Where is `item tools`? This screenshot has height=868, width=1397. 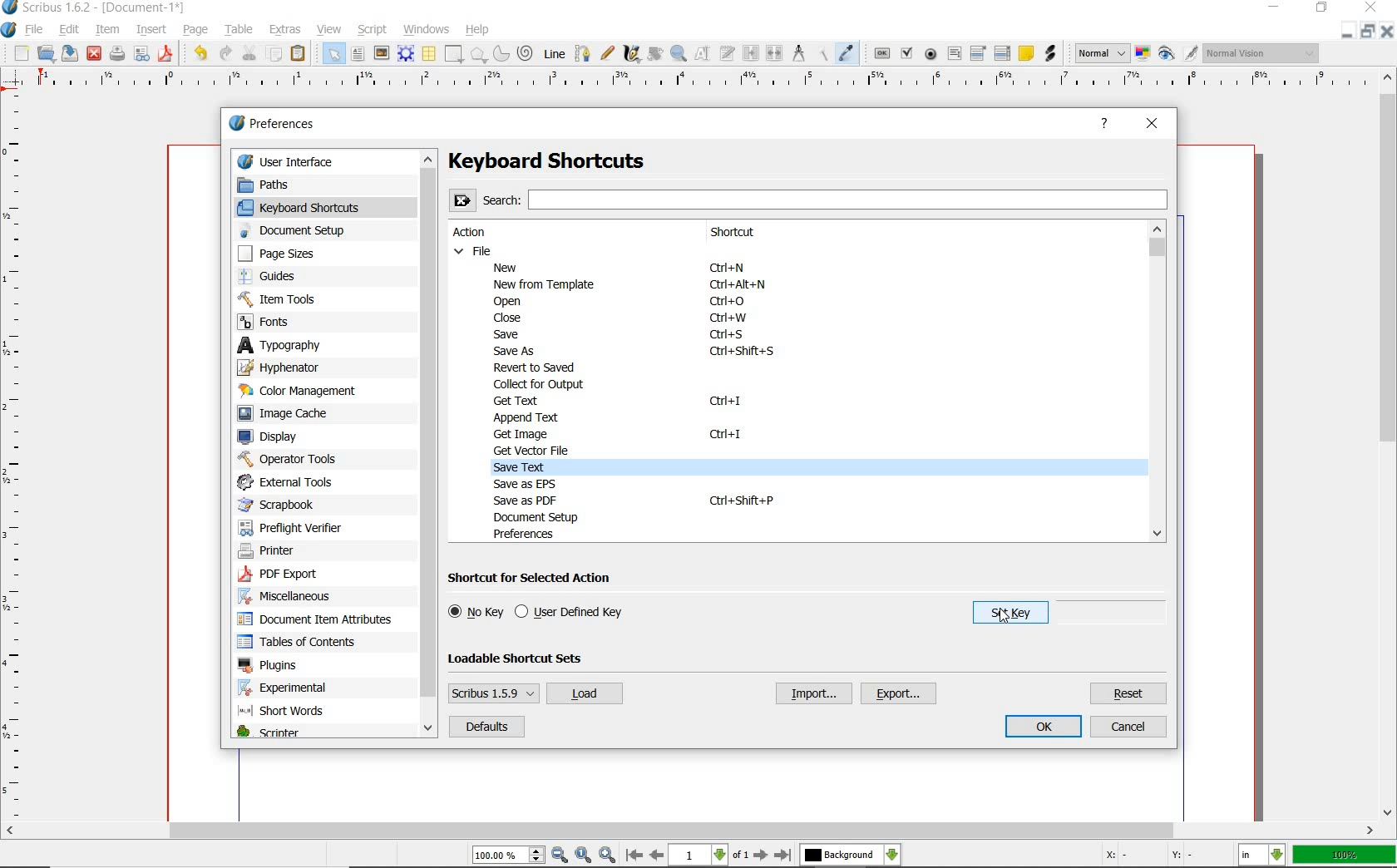
item tools is located at coordinates (292, 298).